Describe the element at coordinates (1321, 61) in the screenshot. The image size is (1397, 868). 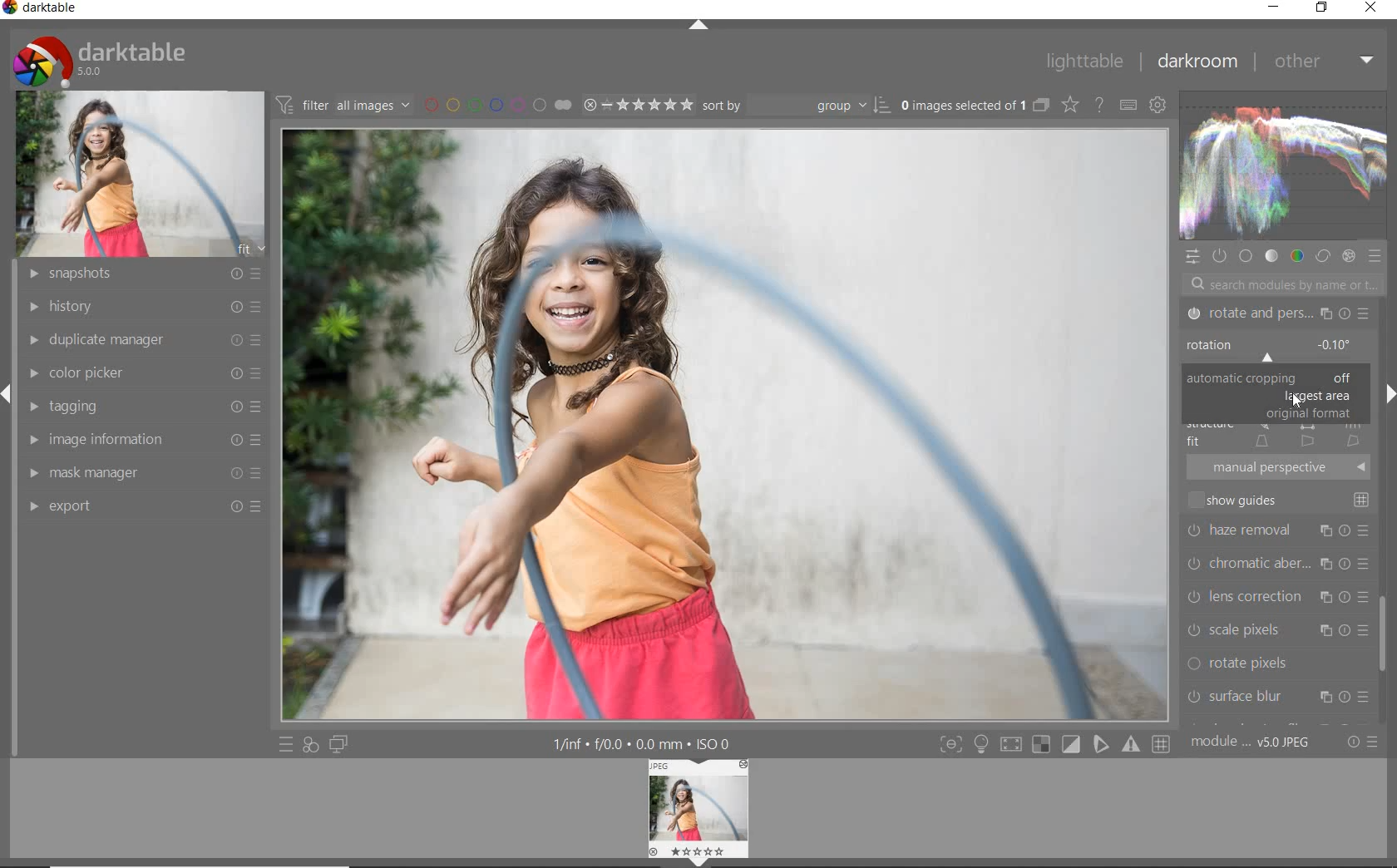
I see `other` at that location.